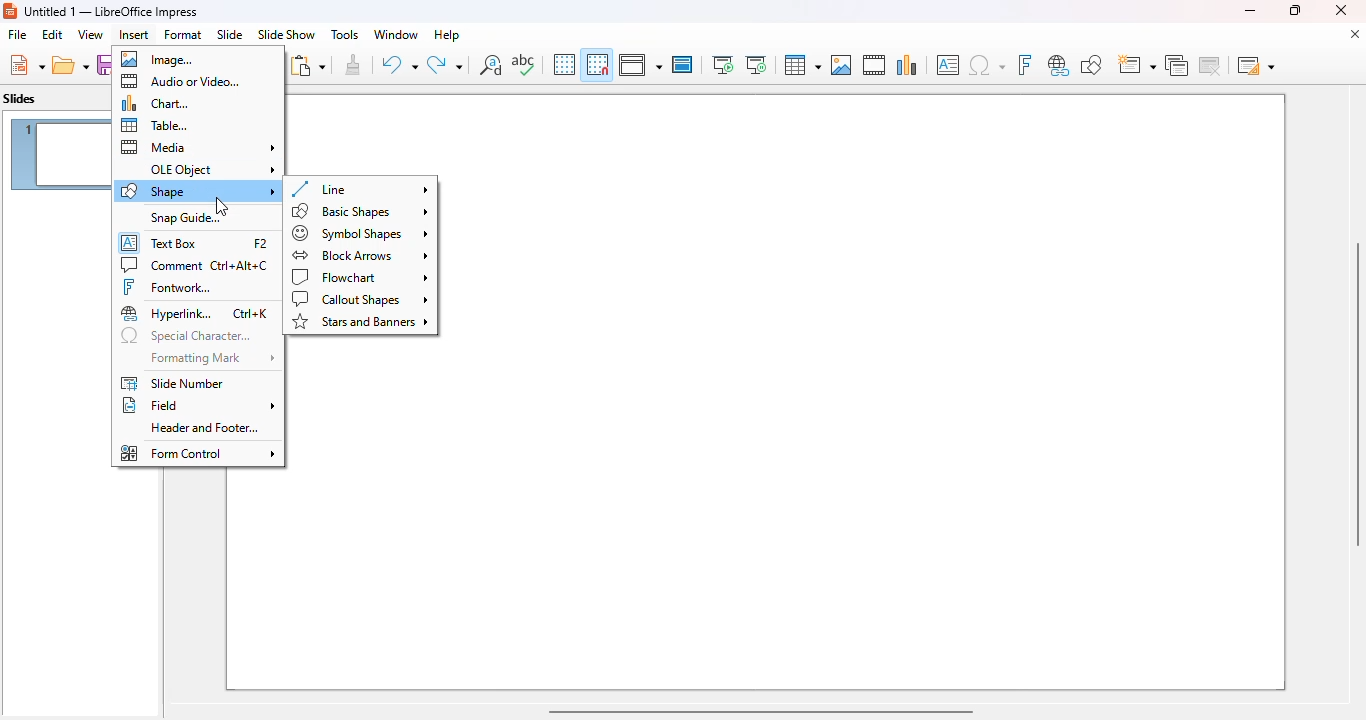 The width and height of the screenshot is (1366, 720). Describe the element at coordinates (134, 35) in the screenshot. I see `insert` at that location.